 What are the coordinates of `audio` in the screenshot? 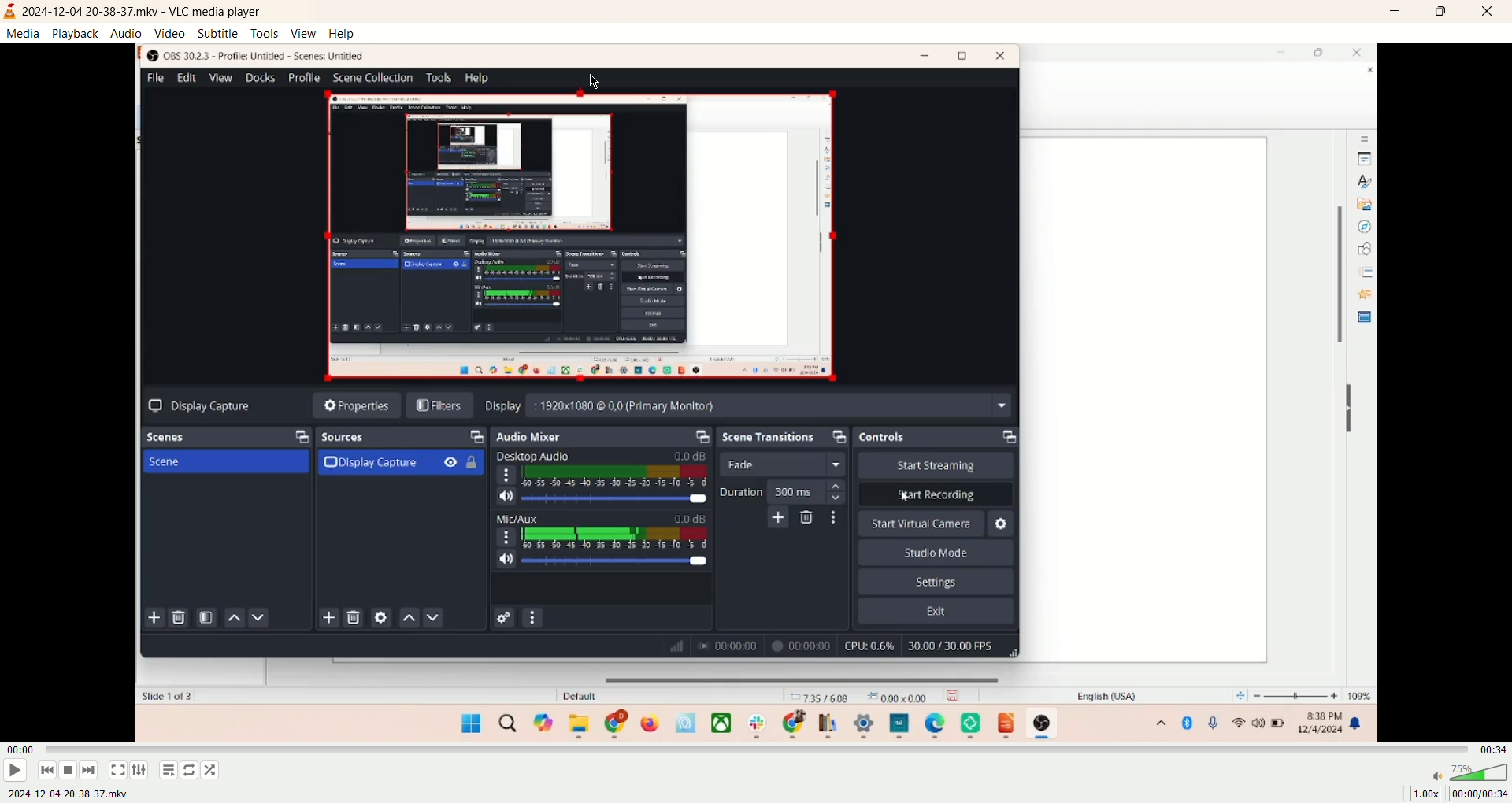 It's located at (128, 32).